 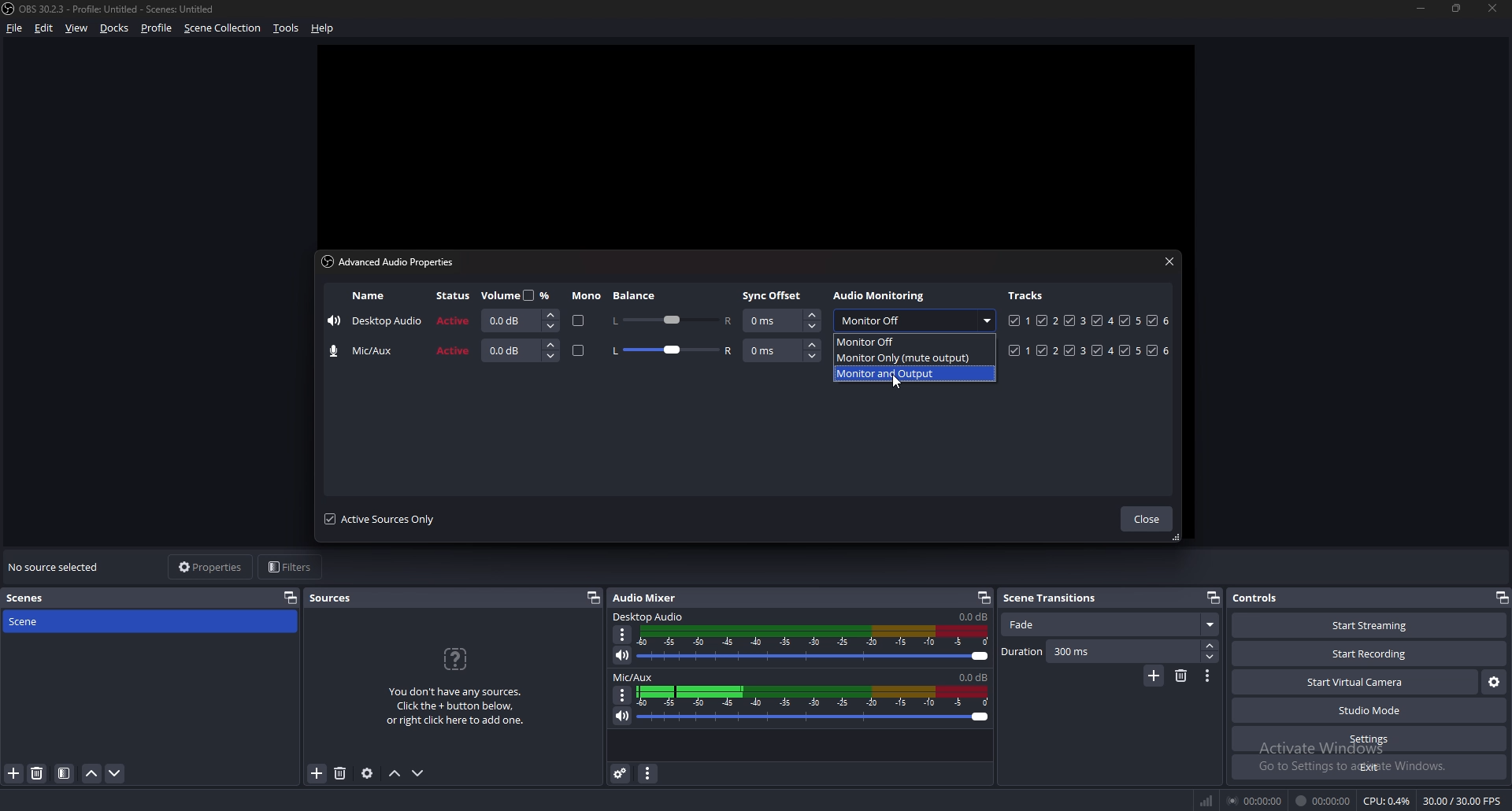 What do you see at coordinates (813, 703) in the screenshot?
I see `mic/aux sound bar` at bounding box center [813, 703].